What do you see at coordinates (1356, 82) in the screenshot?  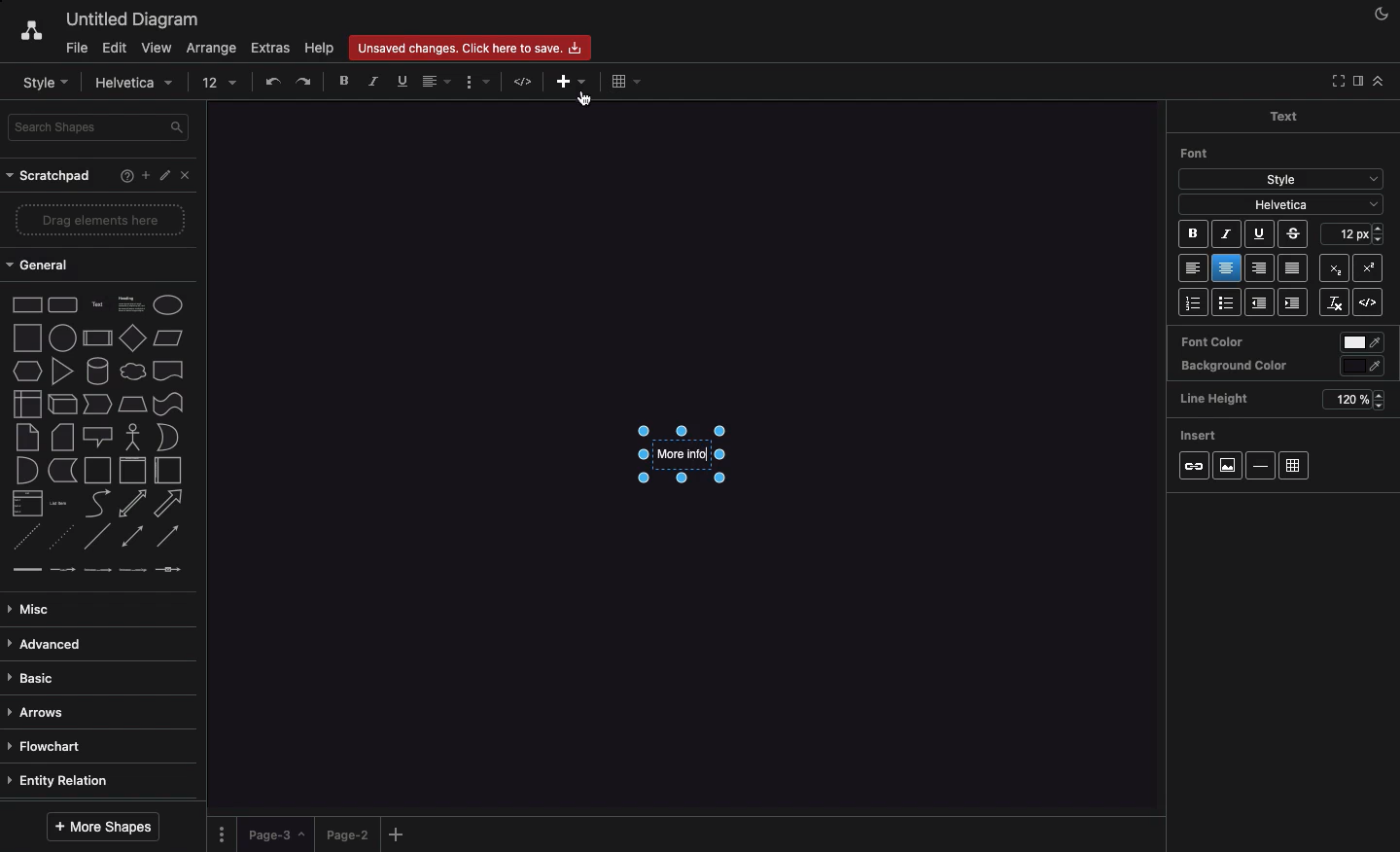 I see `Sidebar` at bounding box center [1356, 82].